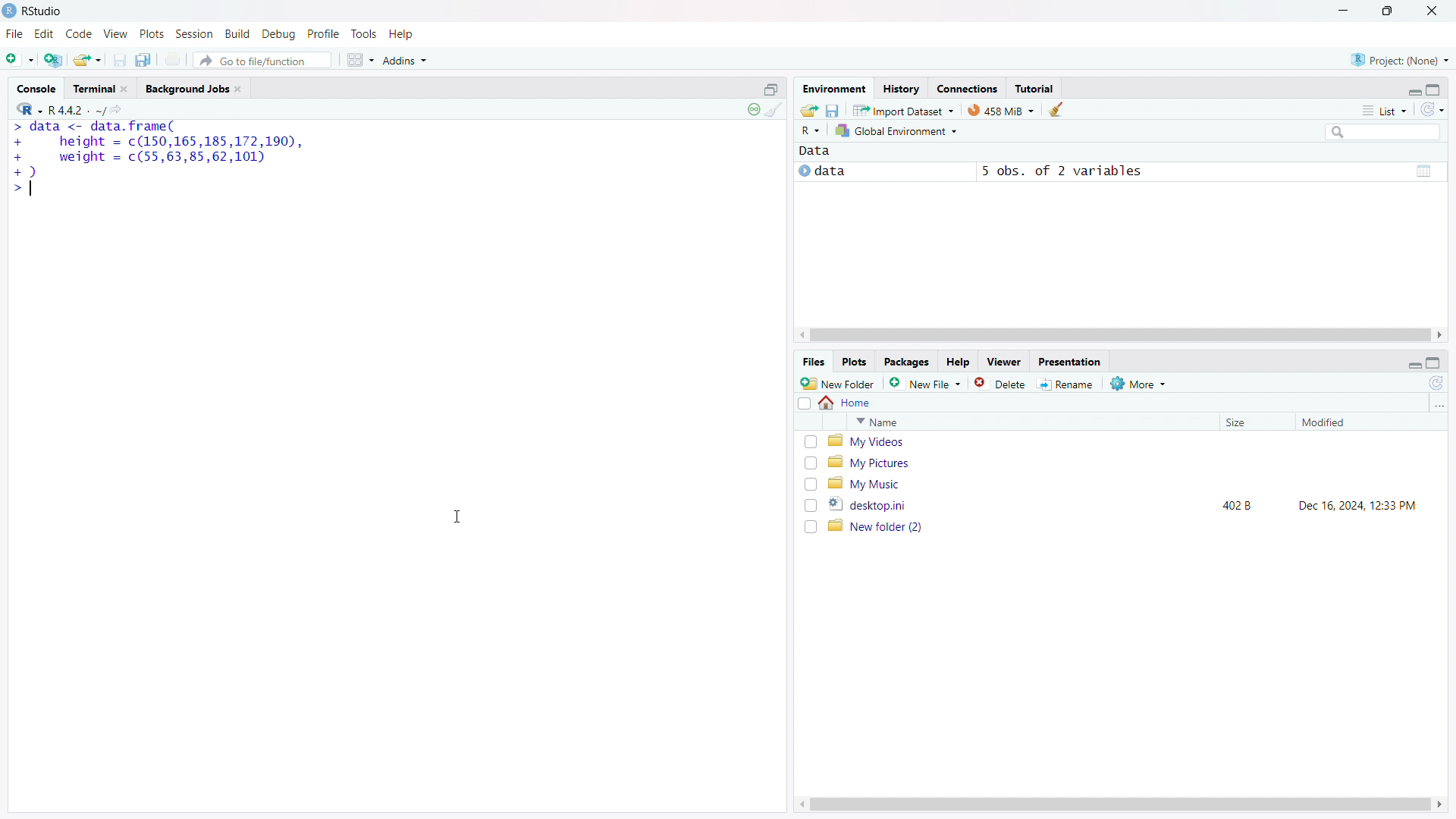  Describe the element at coordinates (898, 131) in the screenshot. I see `select environment` at that location.